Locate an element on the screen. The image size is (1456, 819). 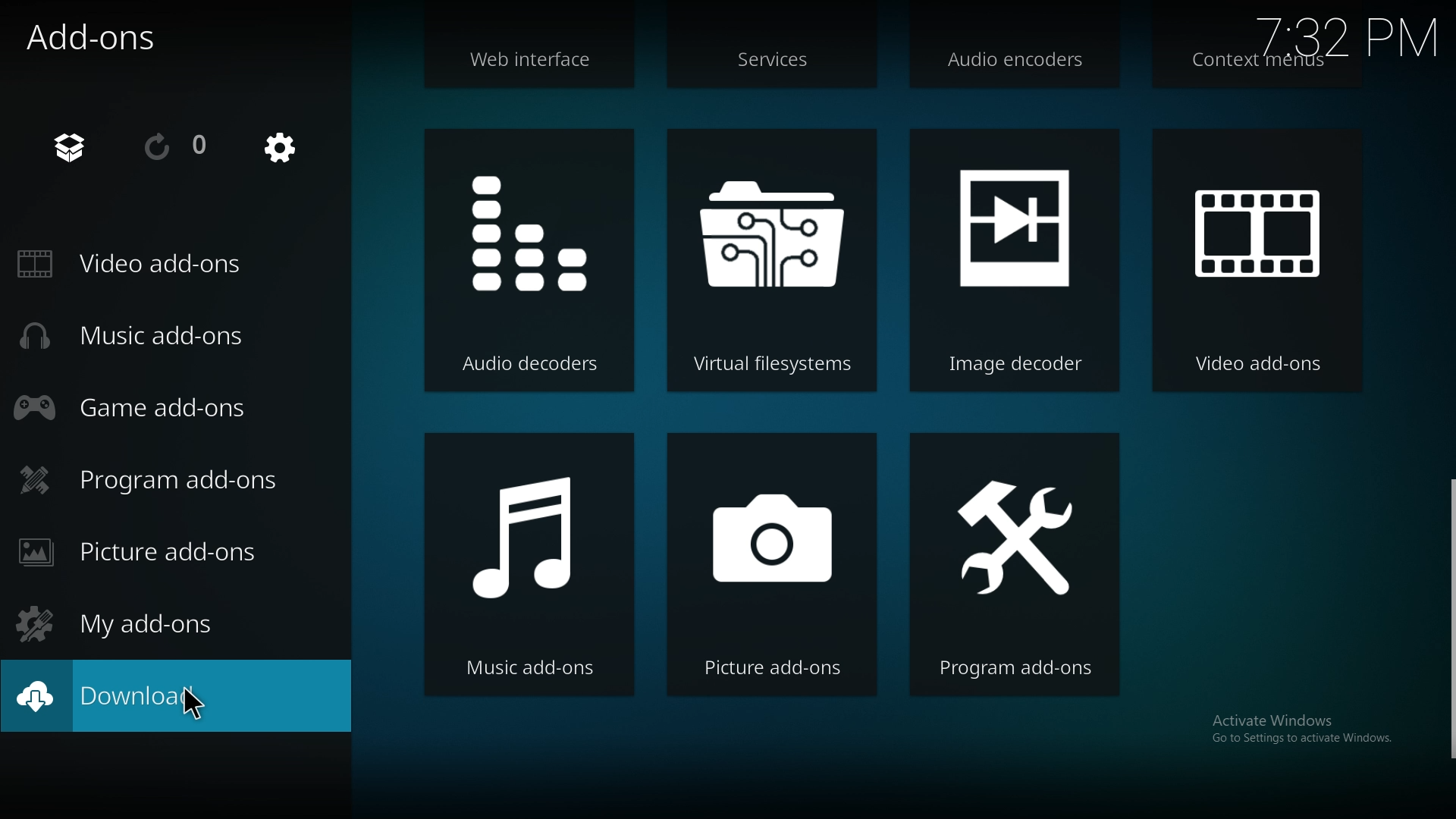
my add ons is located at coordinates (128, 621).